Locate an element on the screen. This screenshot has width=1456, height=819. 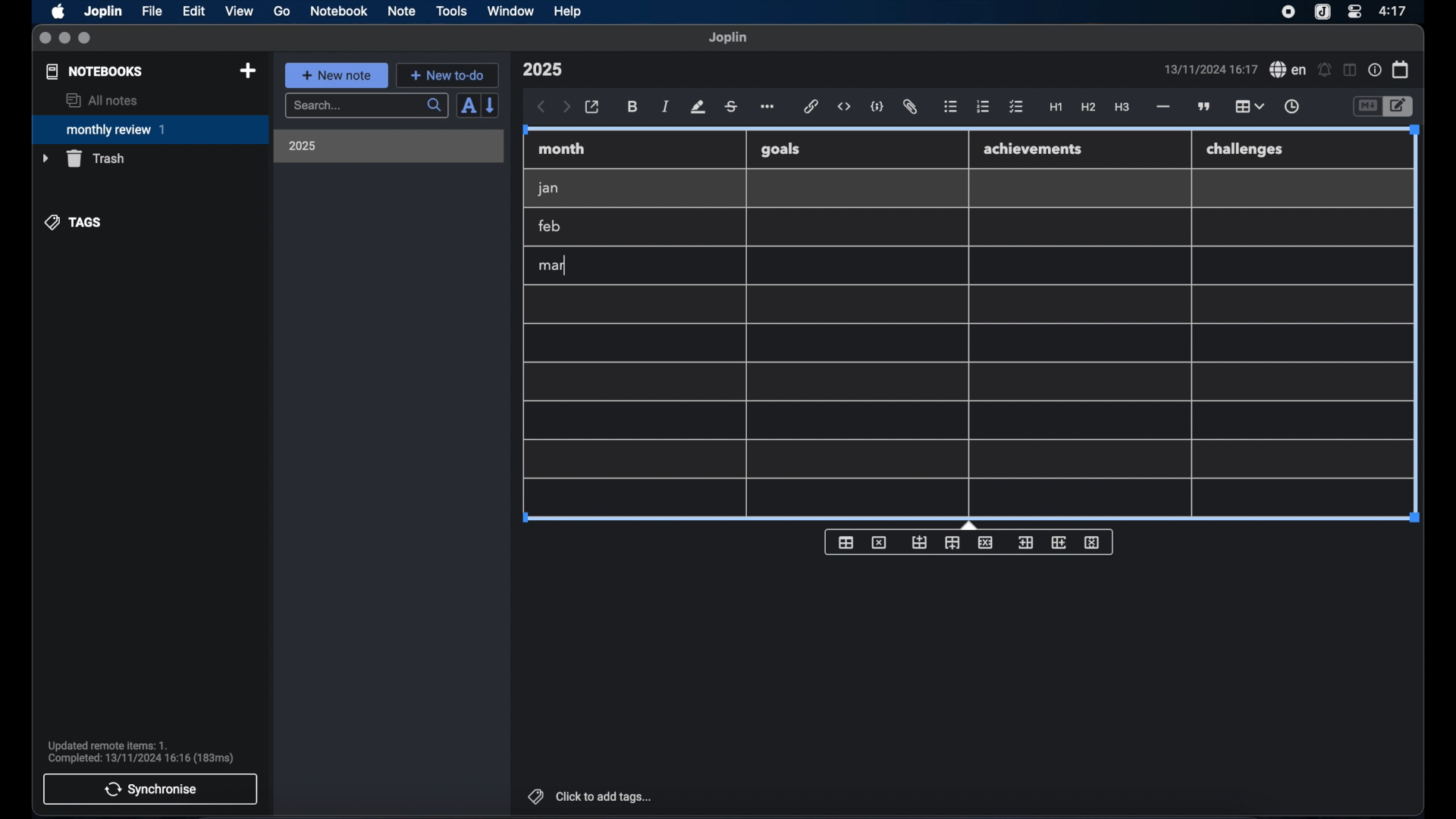
insert time is located at coordinates (1291, 107).